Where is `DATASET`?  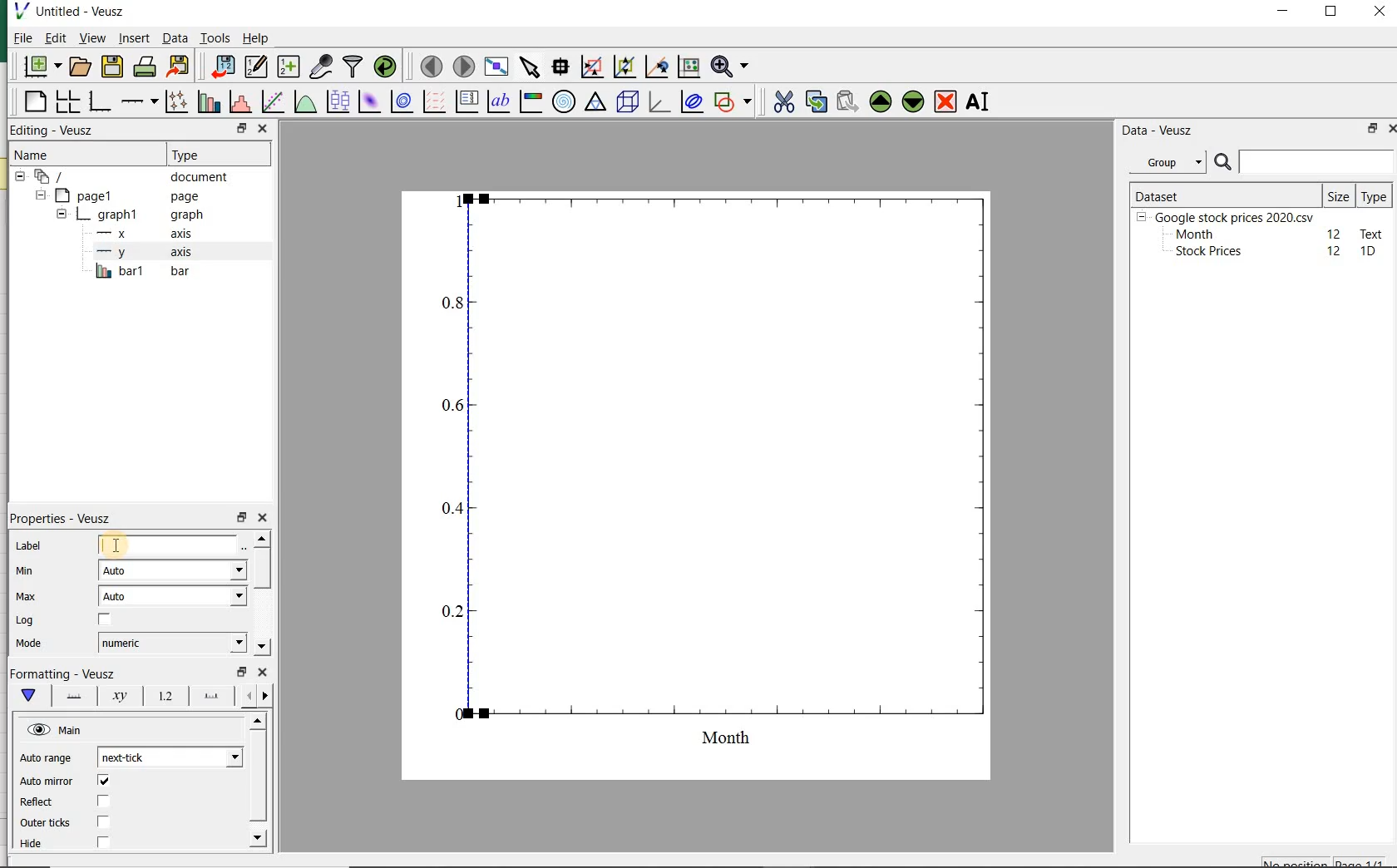
DATASET is located at coordinates (1224, 193).